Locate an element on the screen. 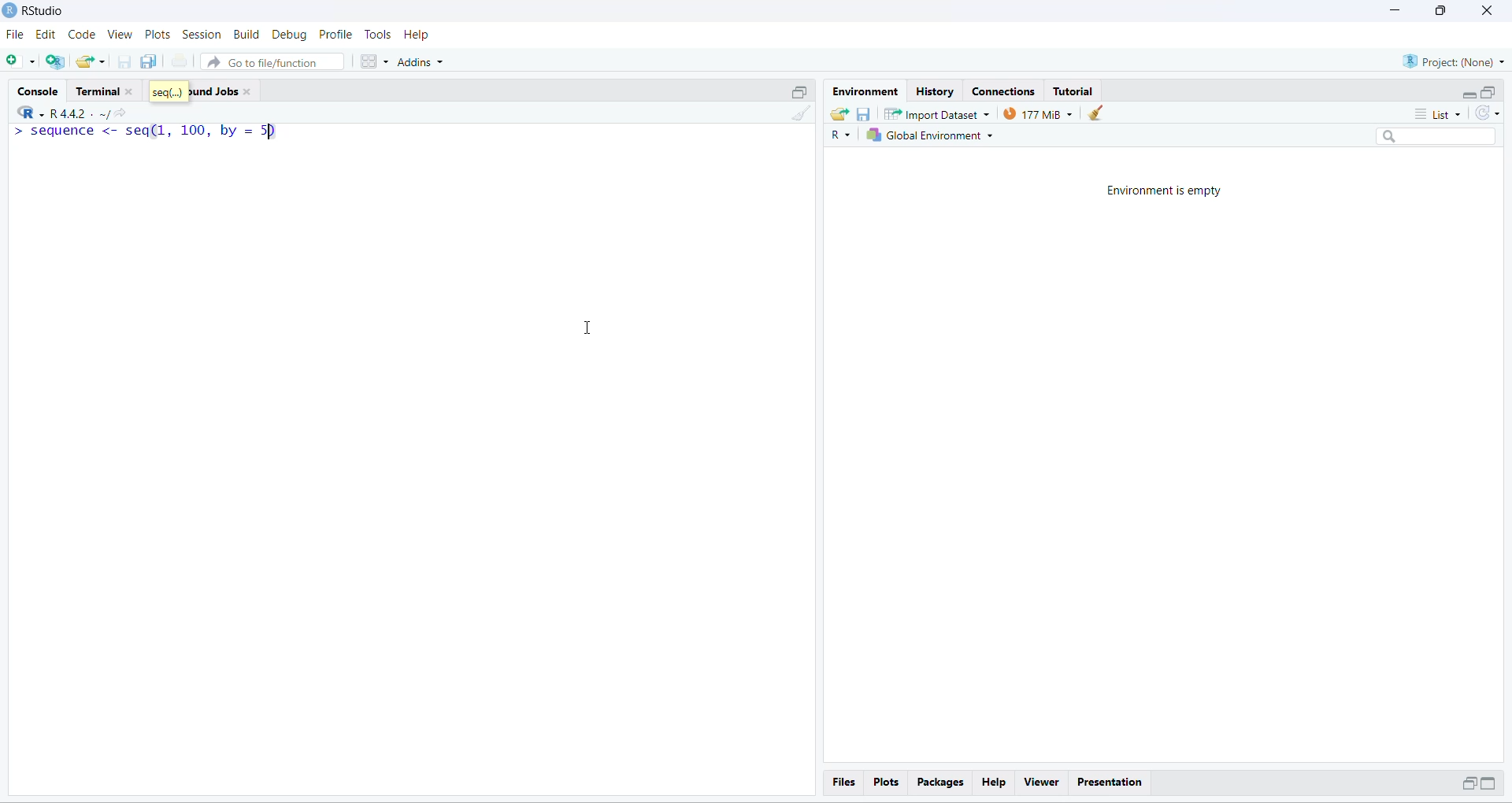 This screenshot has height=803, width=1512. plots is located at coordinates (887, 783).